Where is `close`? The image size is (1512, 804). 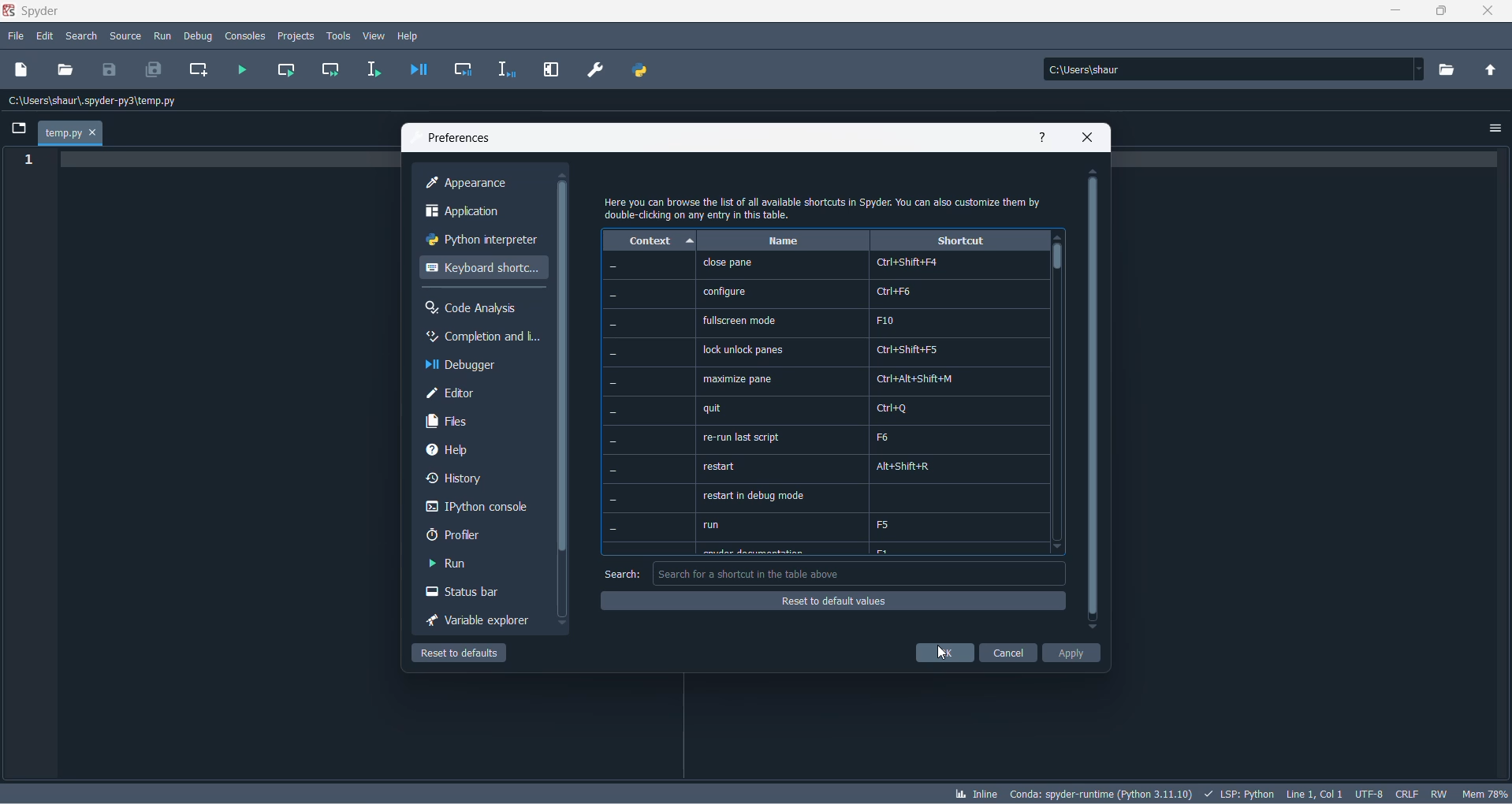 close is located at coordinates (1089, 139).